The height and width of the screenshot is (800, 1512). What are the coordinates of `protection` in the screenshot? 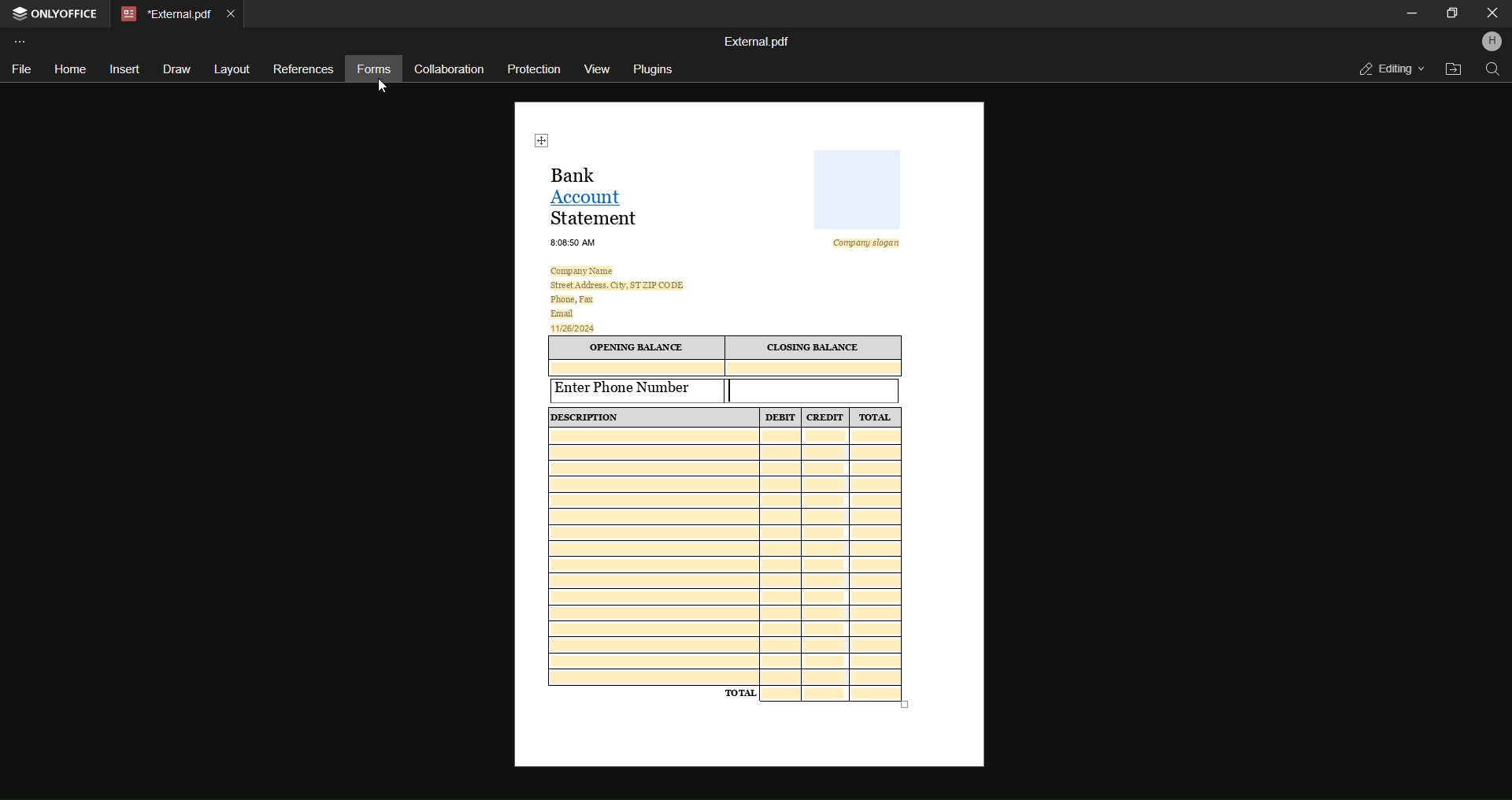 It's located at (532, 71).